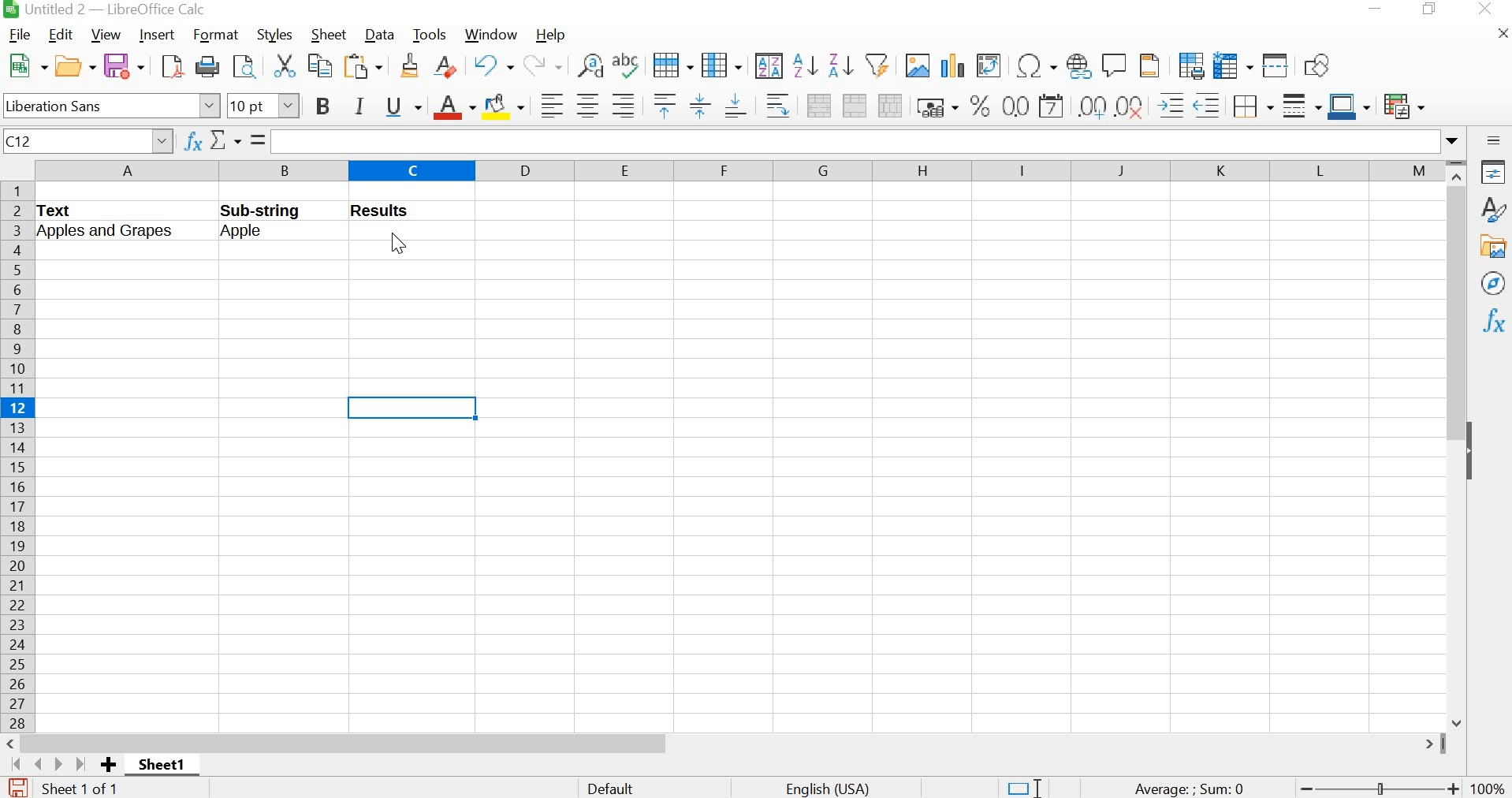 This screenshot has width=1512, height=798. I want to click on align top, so click(663, 106).